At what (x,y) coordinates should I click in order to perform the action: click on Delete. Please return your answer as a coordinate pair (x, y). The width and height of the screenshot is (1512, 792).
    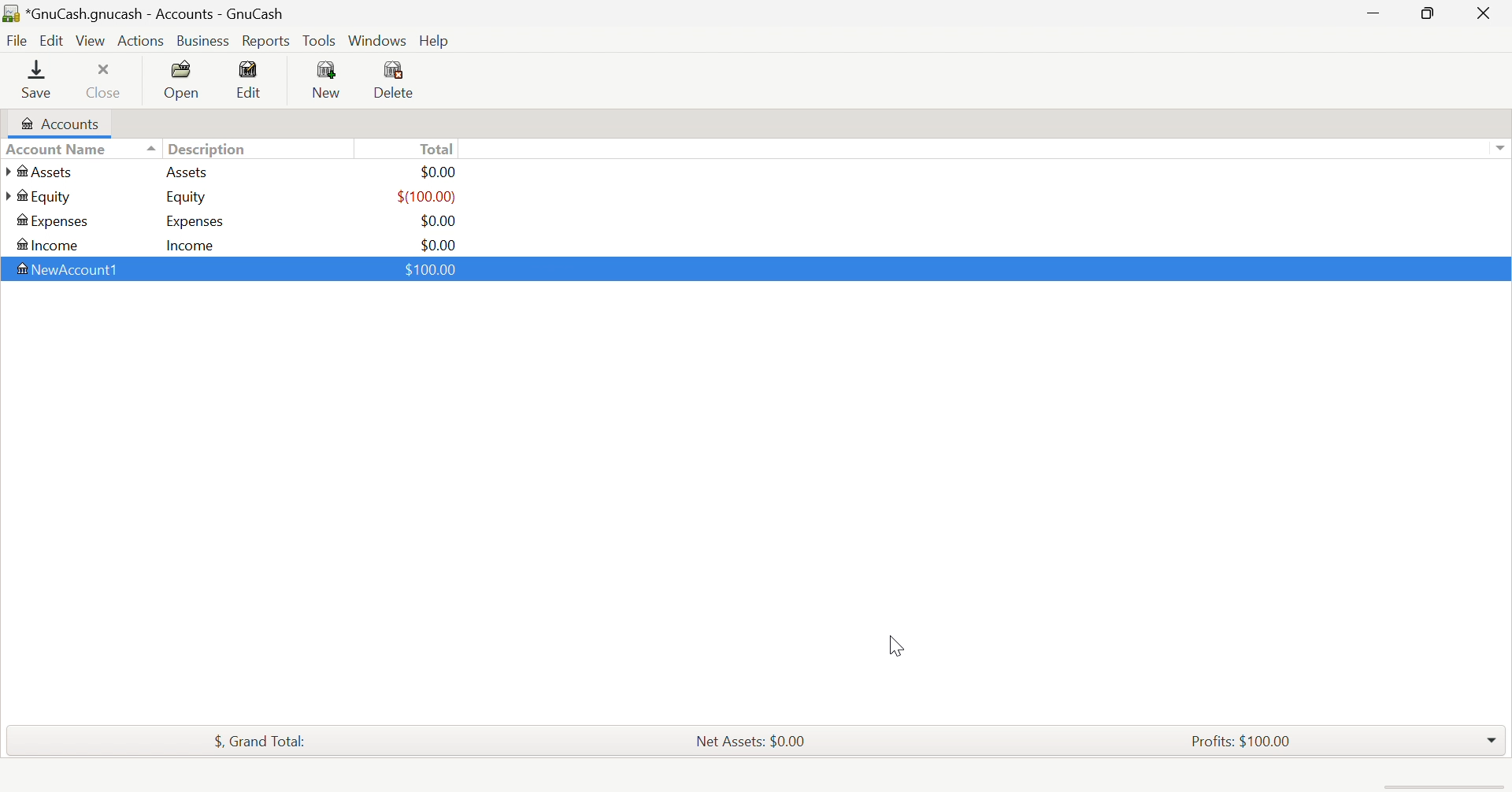
    Looking at the image, I should click on (405, 80).